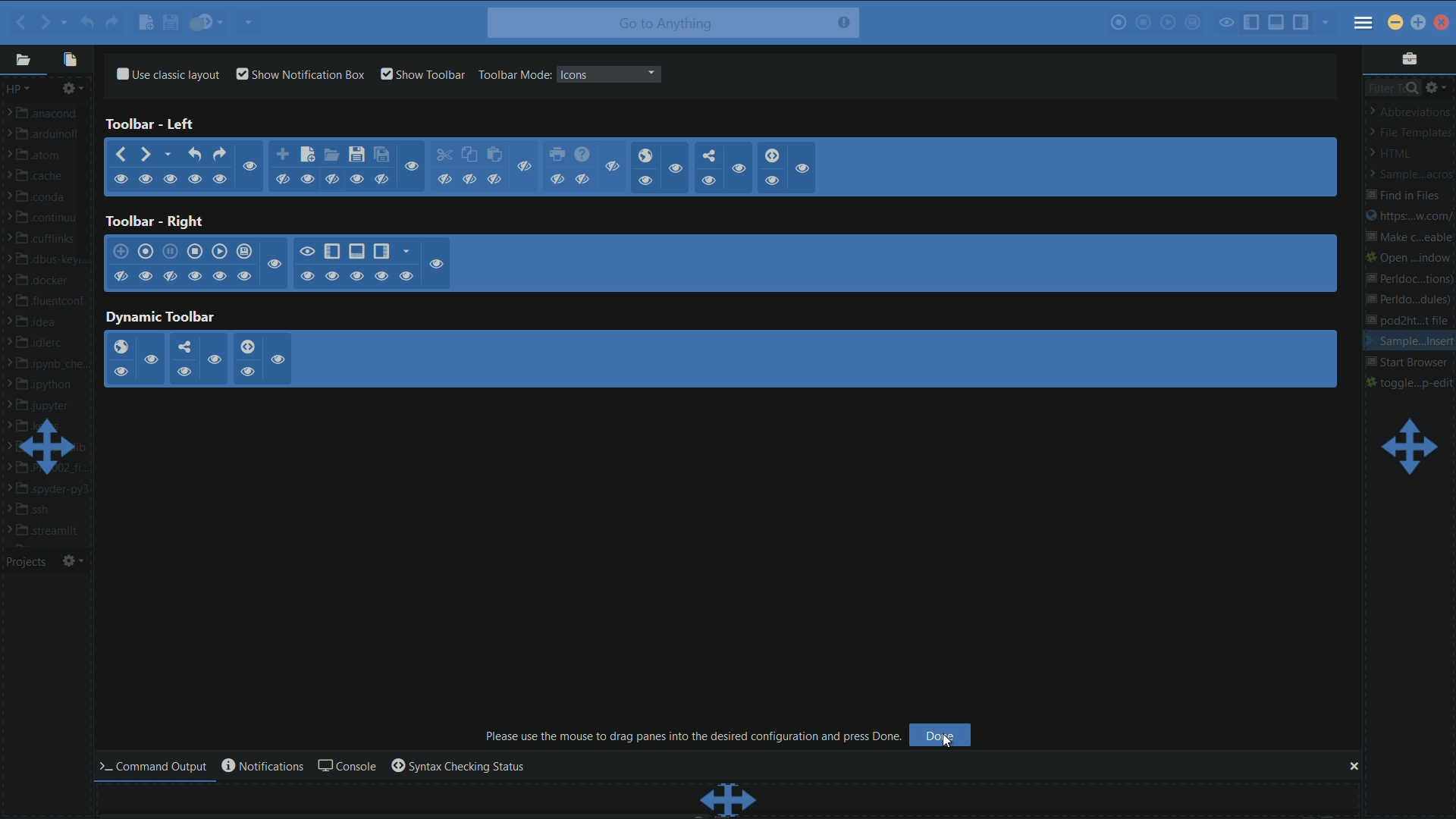 This screenshot has width=1456, height=819. I want to click on toolbar mode, so click(513, 74).